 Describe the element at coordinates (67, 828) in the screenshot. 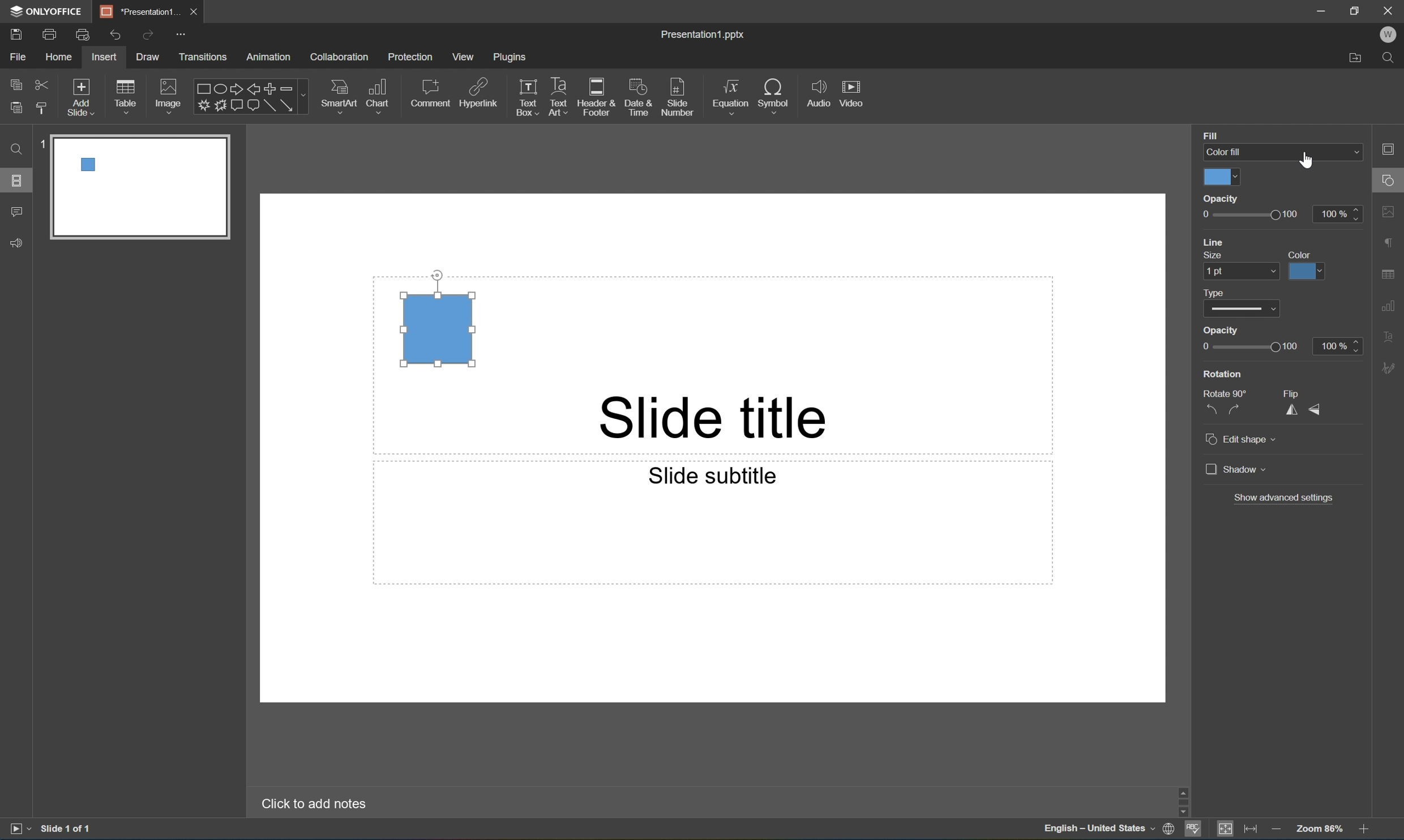

I see `Slide 1 of 1` at that location.